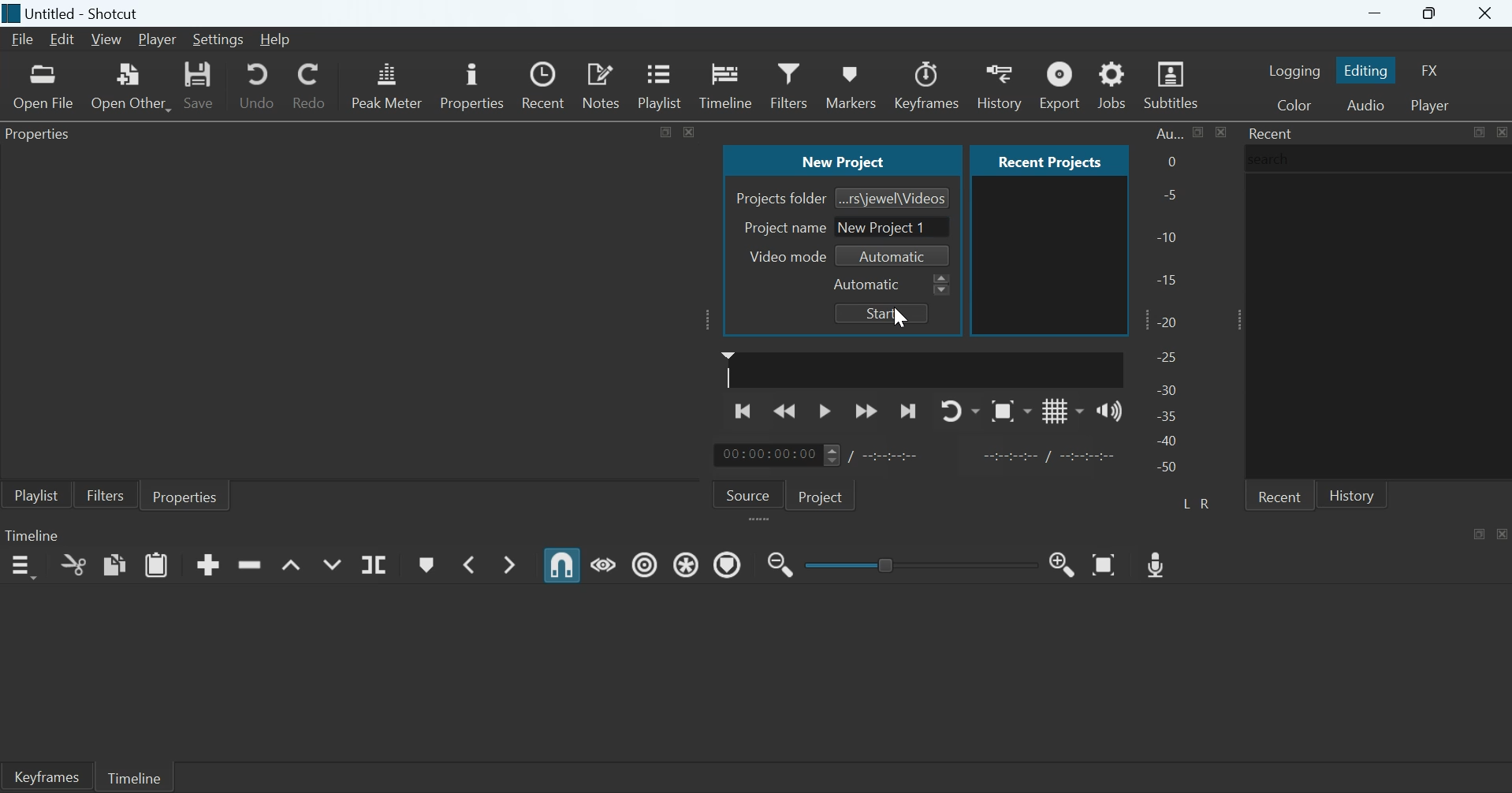 The image size is (1512, 793). Describe the element at coordinates (1365, 104) in the screenshot. I see `Switch to the Audio layout` at that location.